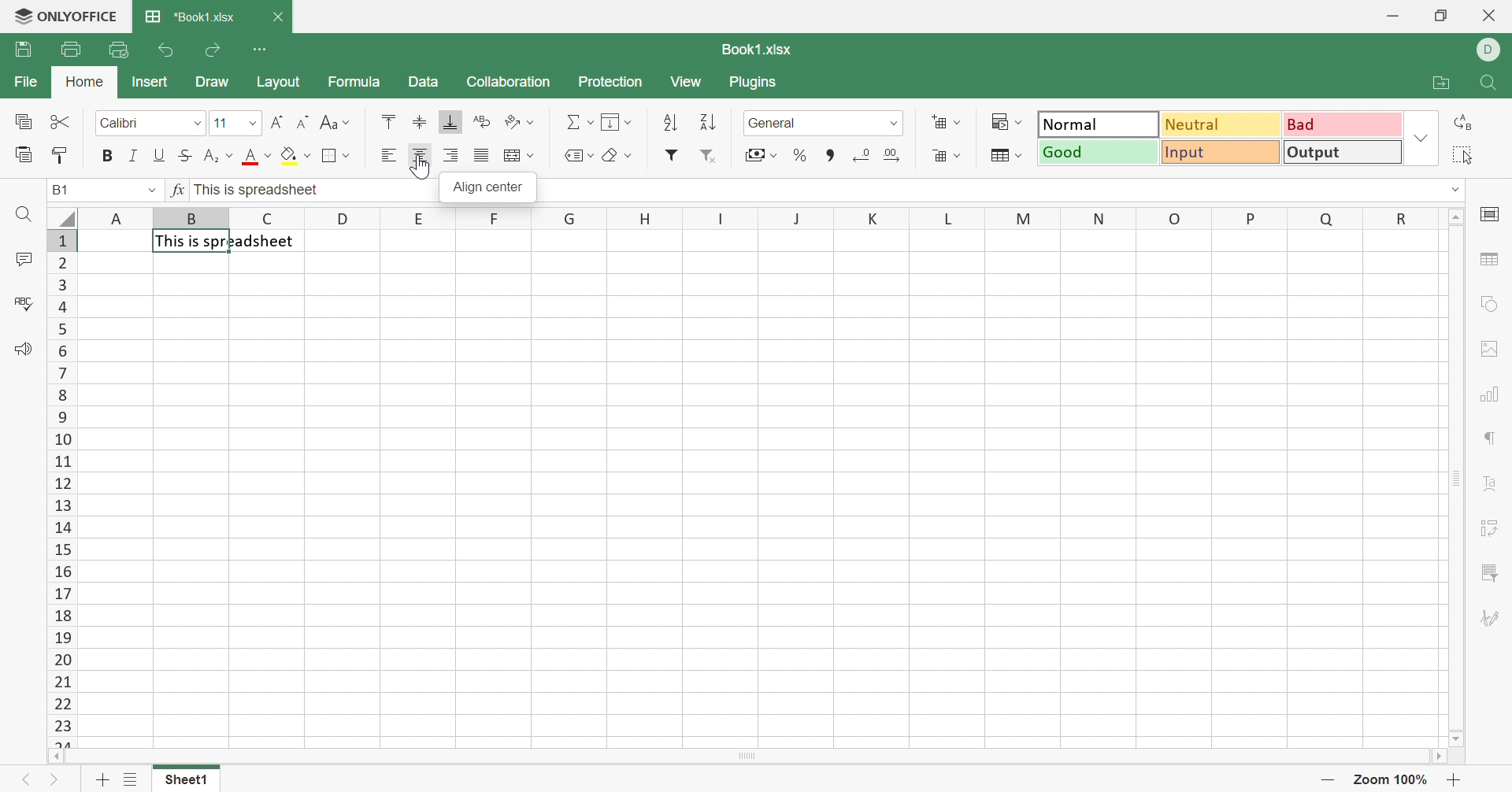  What do you see at coordinates (135, 155) in the screenshot?
I see `Italic` at bounding box center [135, 155].